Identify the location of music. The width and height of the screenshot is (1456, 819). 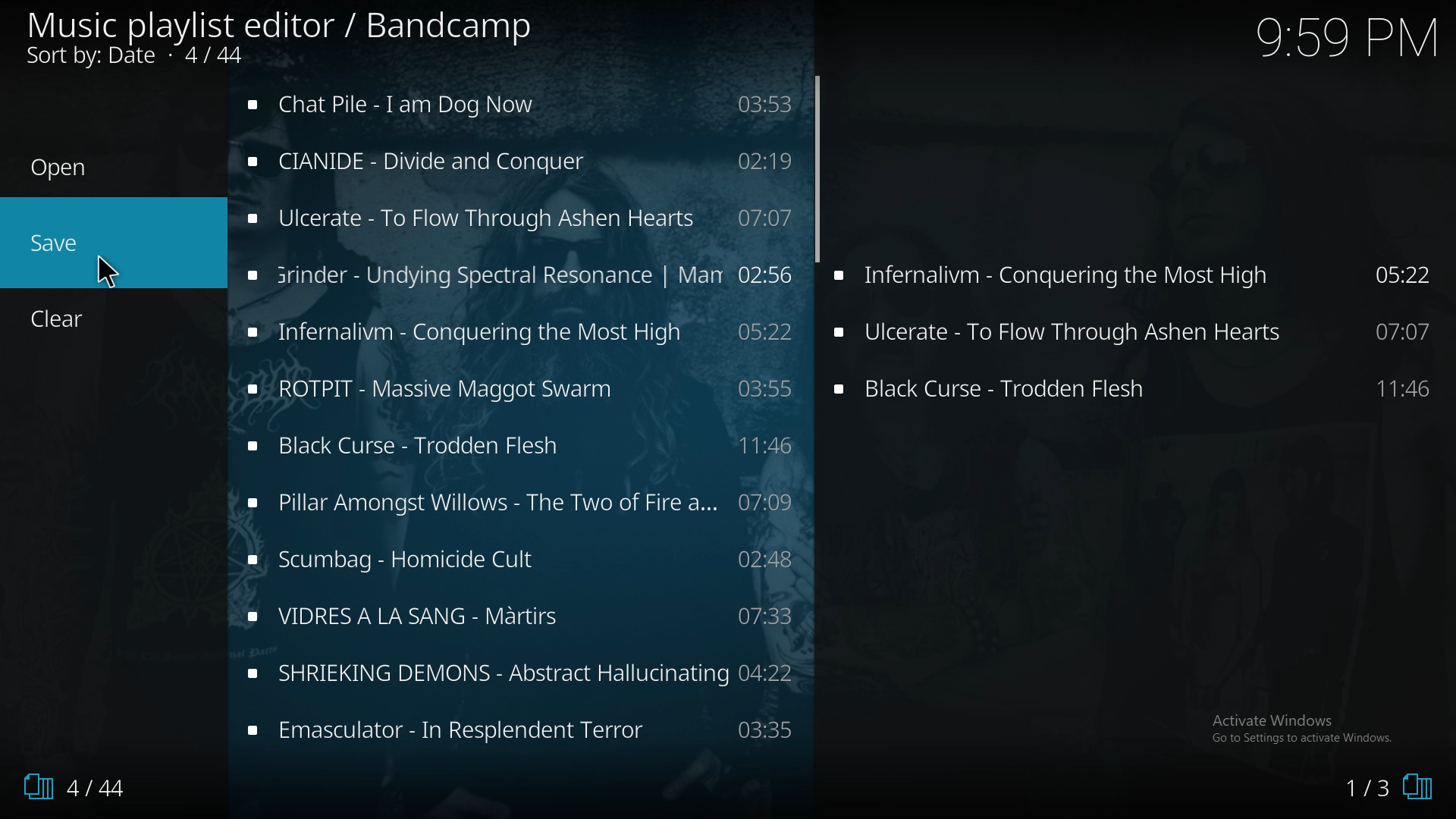
(516, 333).